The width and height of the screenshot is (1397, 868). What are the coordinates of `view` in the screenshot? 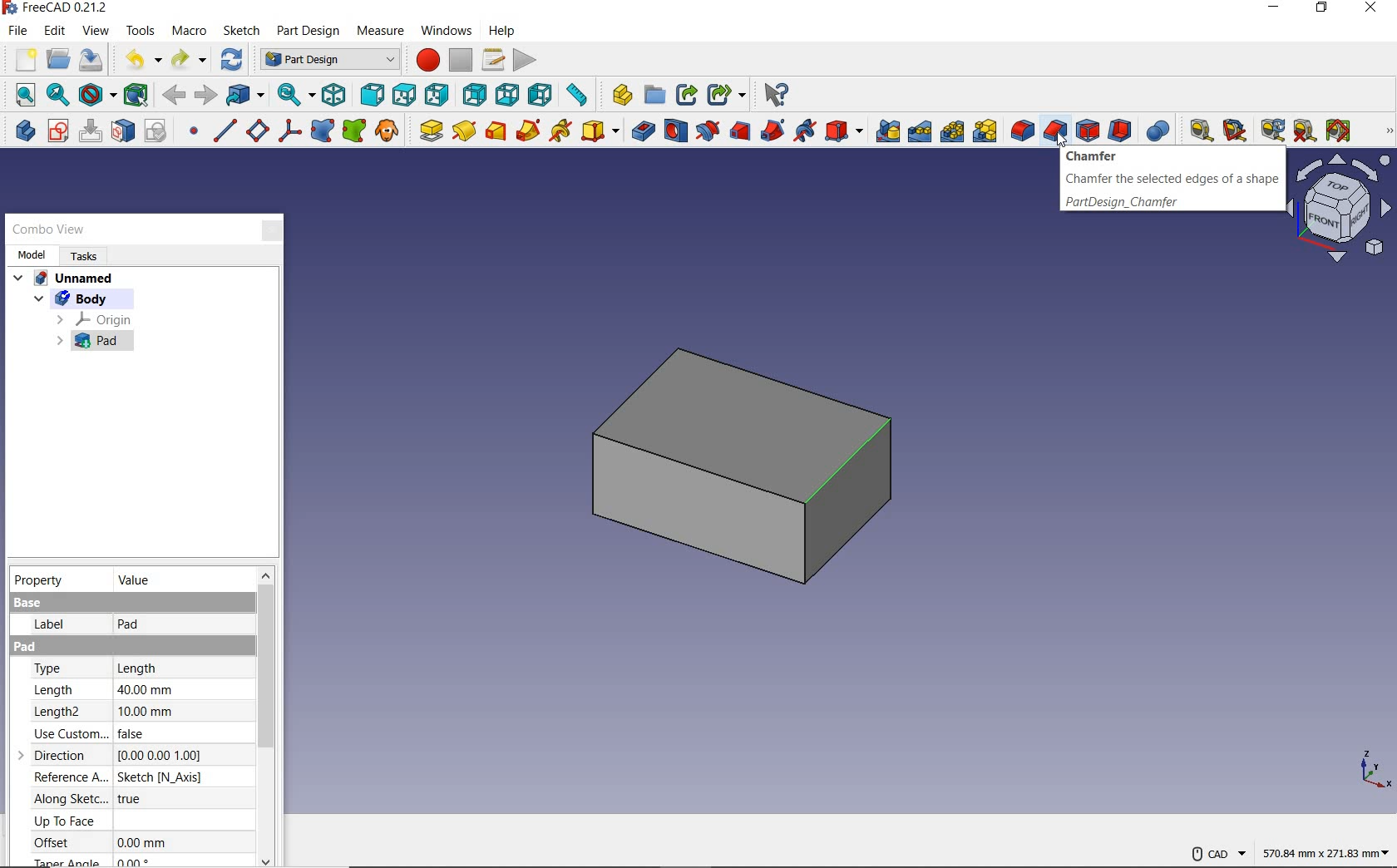 It's located at (97, 32).